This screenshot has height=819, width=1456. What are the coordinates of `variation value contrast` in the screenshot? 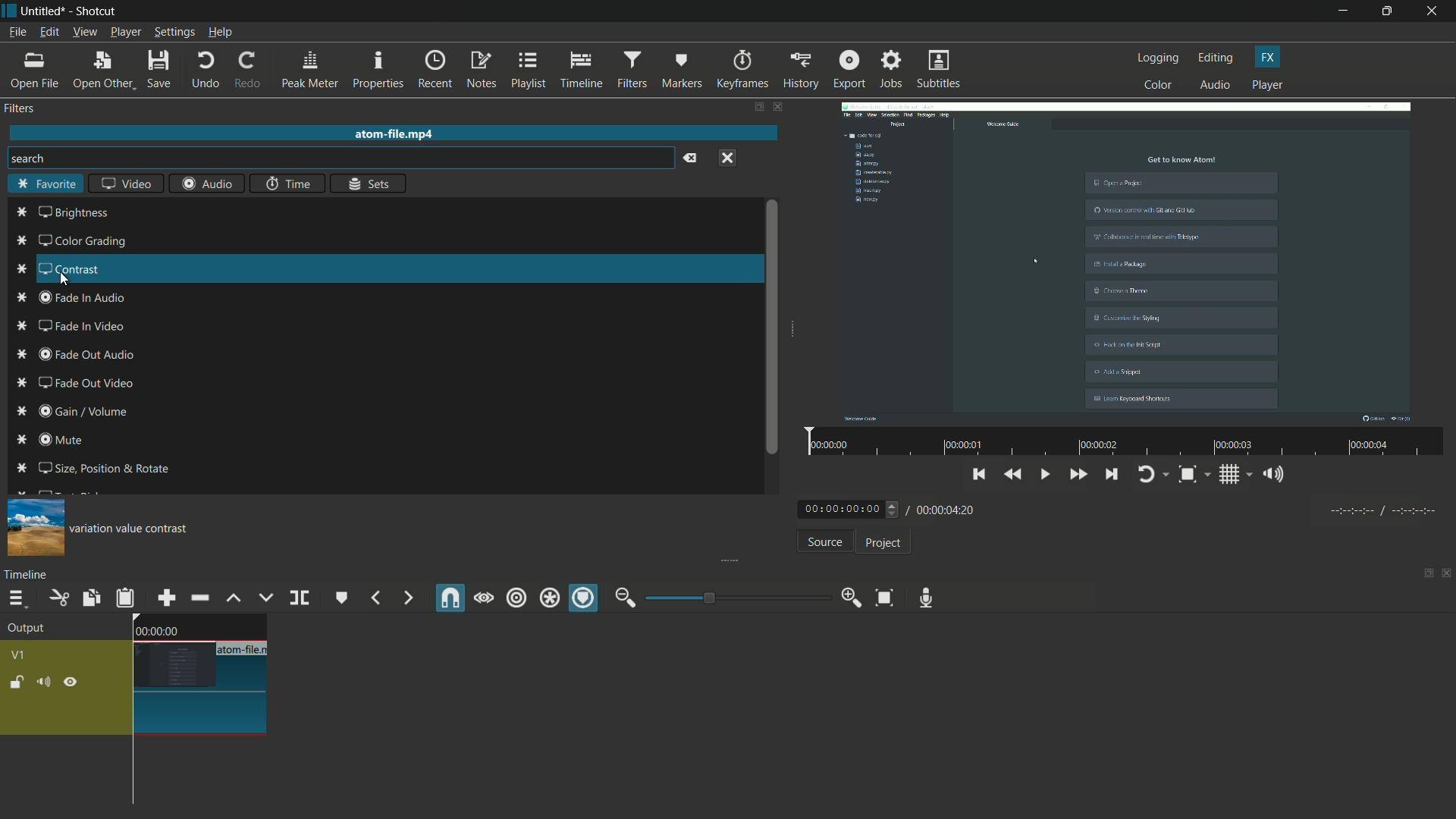 It's located at (134, 530).